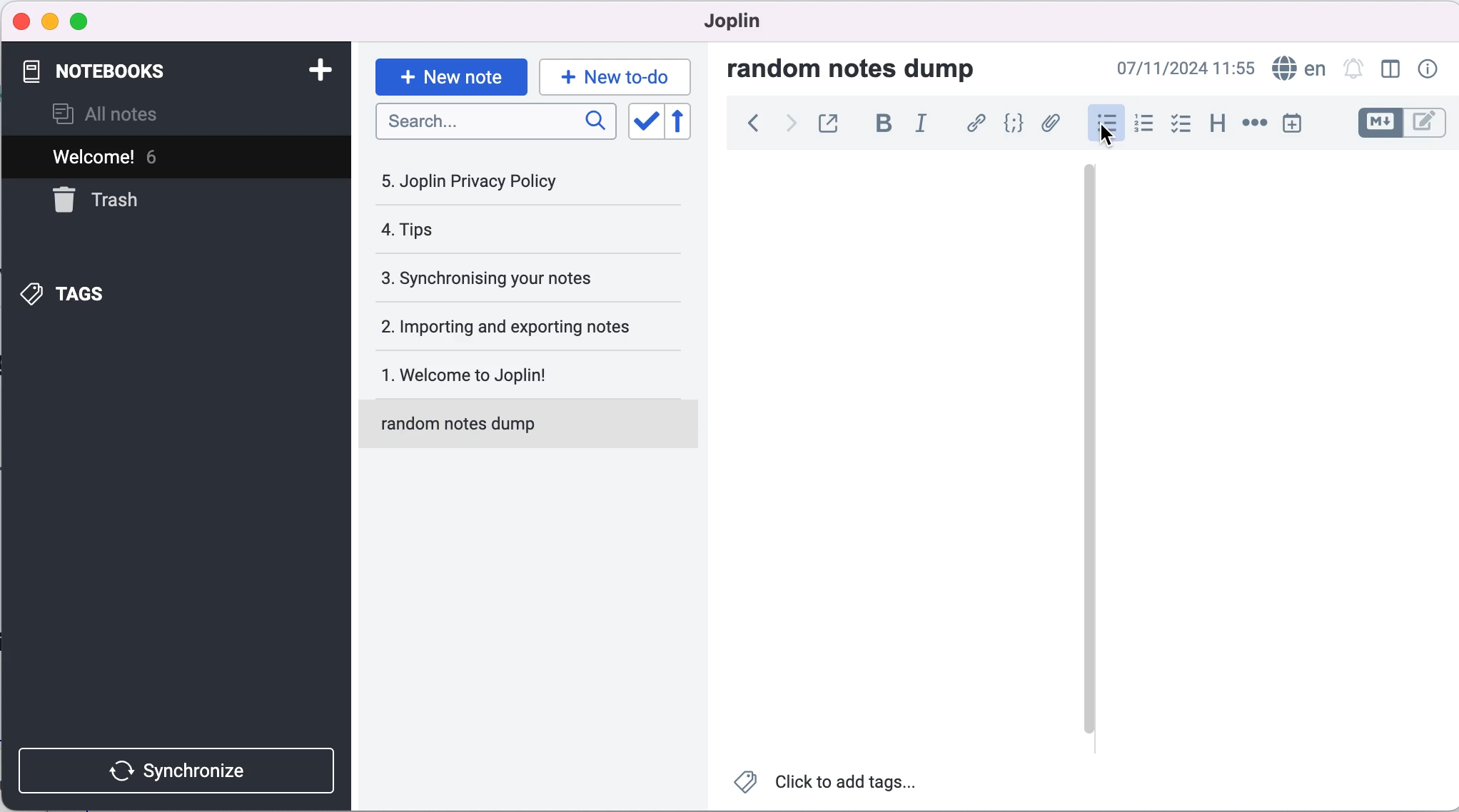 This screenshot has height=812, width=1459. I want to click on add notebook, so click(313, 73).